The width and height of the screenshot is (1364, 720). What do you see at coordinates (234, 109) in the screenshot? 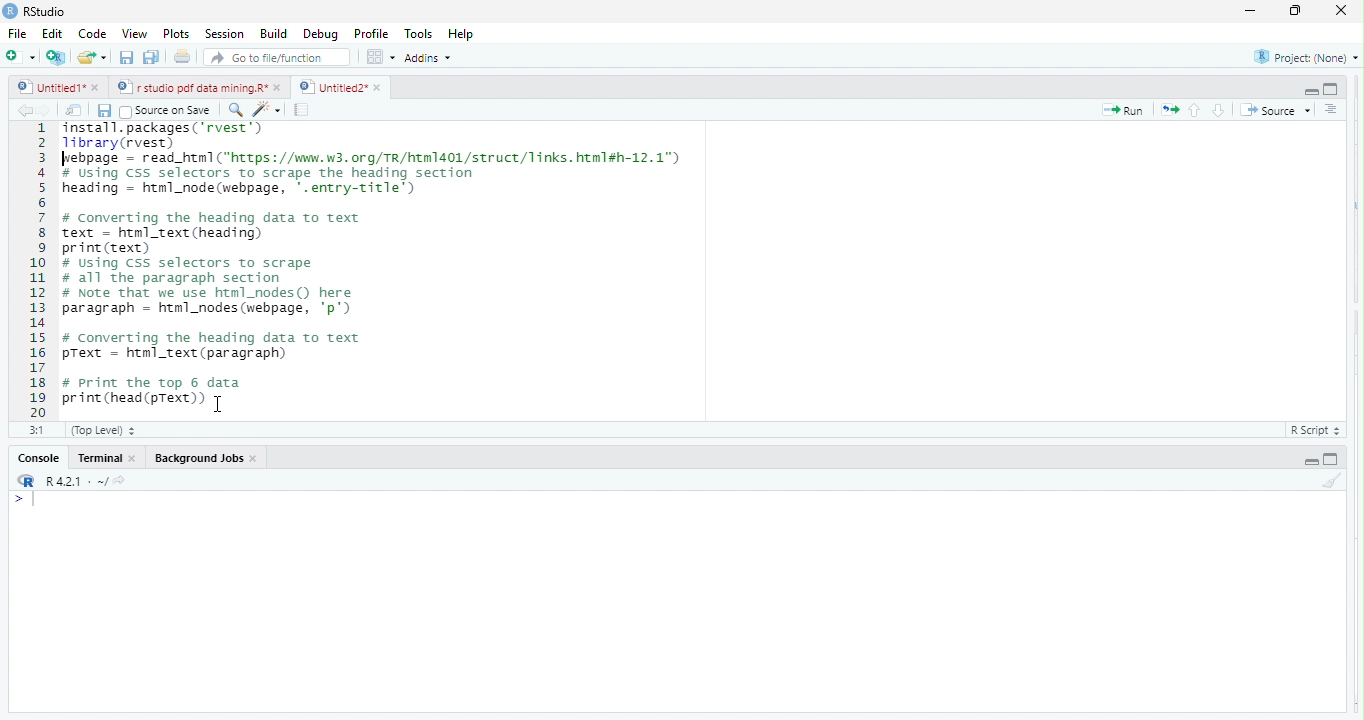
I see `find/replace` at bounding box center [234, 109].